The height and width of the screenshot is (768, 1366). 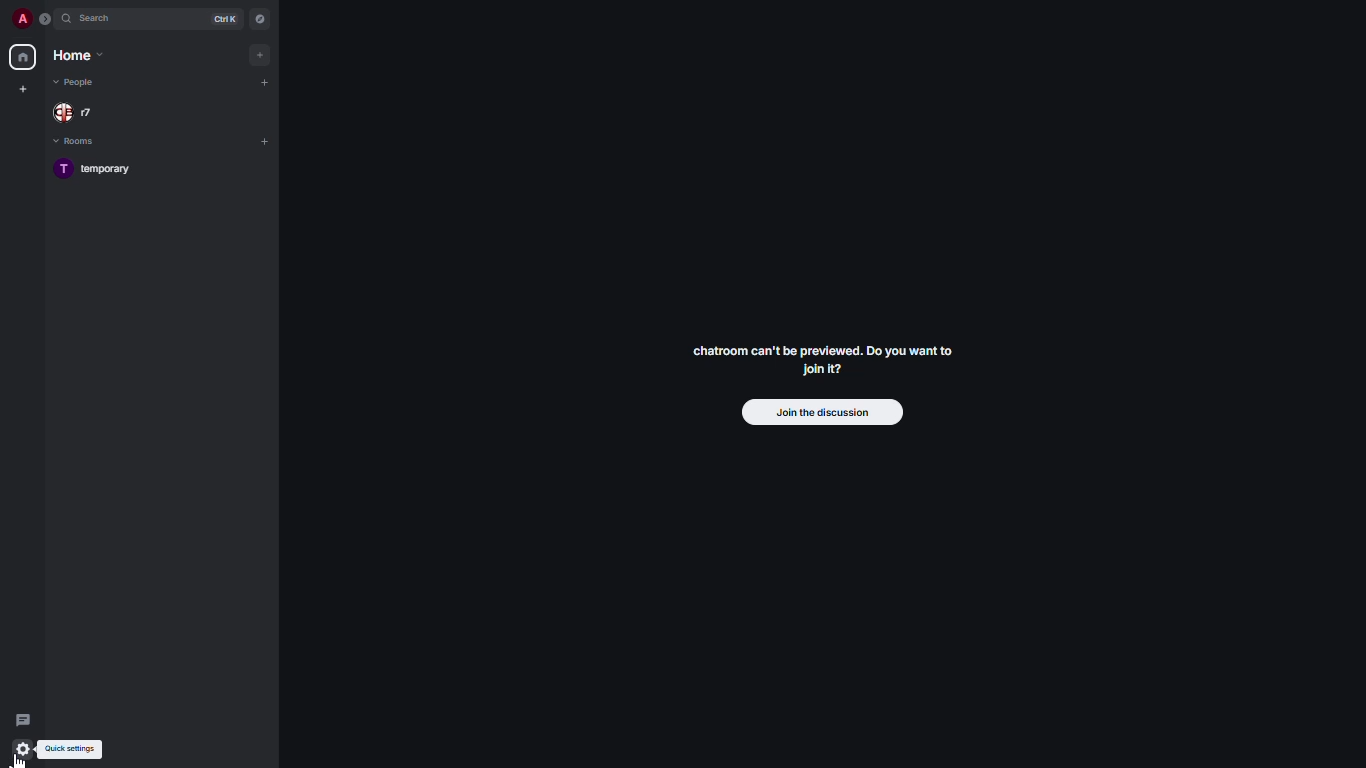 I want to click on quick settingsthreads, so click(x=23, y=748).